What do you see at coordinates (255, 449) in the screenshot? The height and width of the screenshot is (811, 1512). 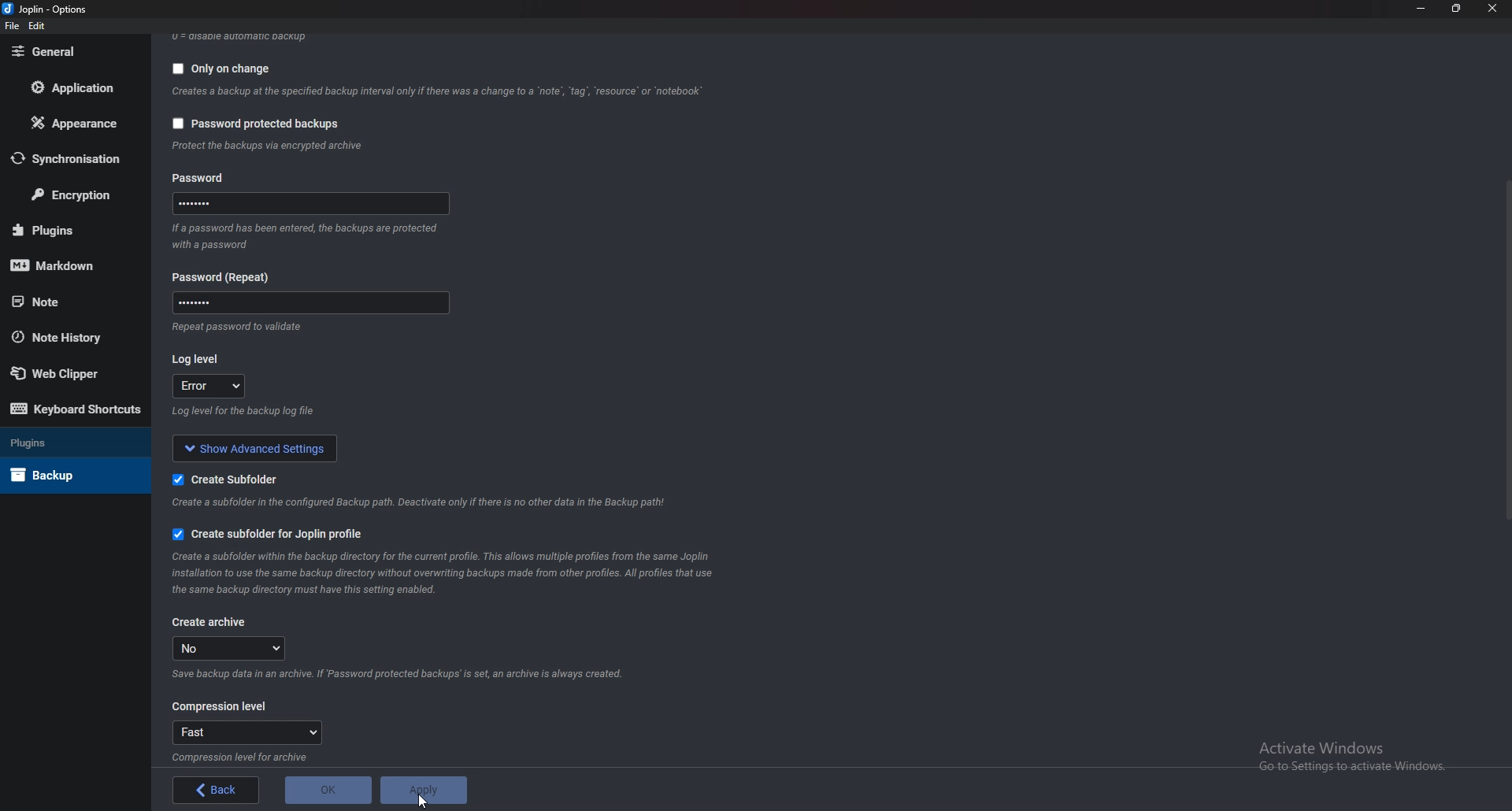 I see `show advanced settings` at bounding box center [255, 449].